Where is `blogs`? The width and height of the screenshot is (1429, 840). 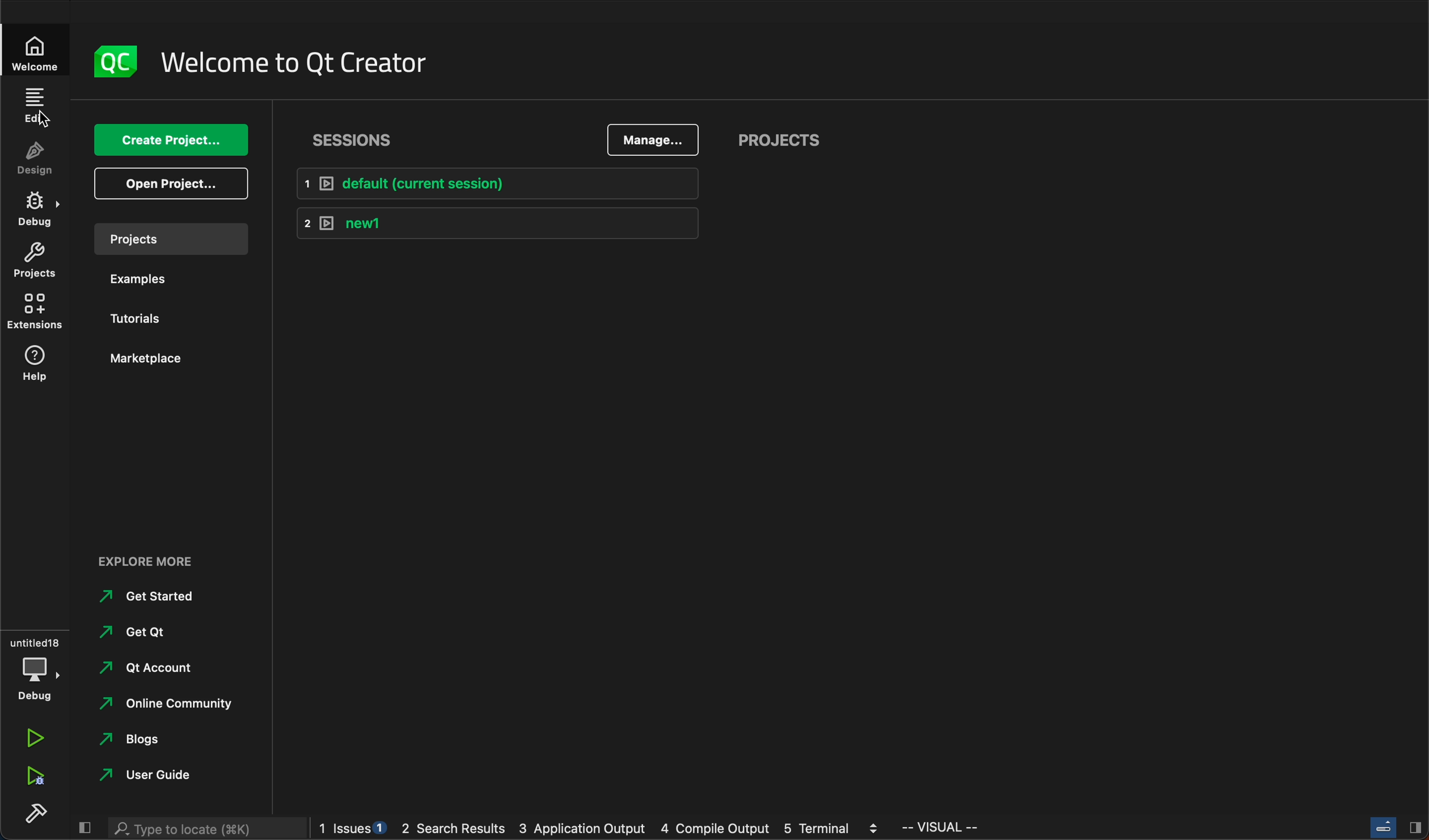 blogs is located at coordinates (150, 739).